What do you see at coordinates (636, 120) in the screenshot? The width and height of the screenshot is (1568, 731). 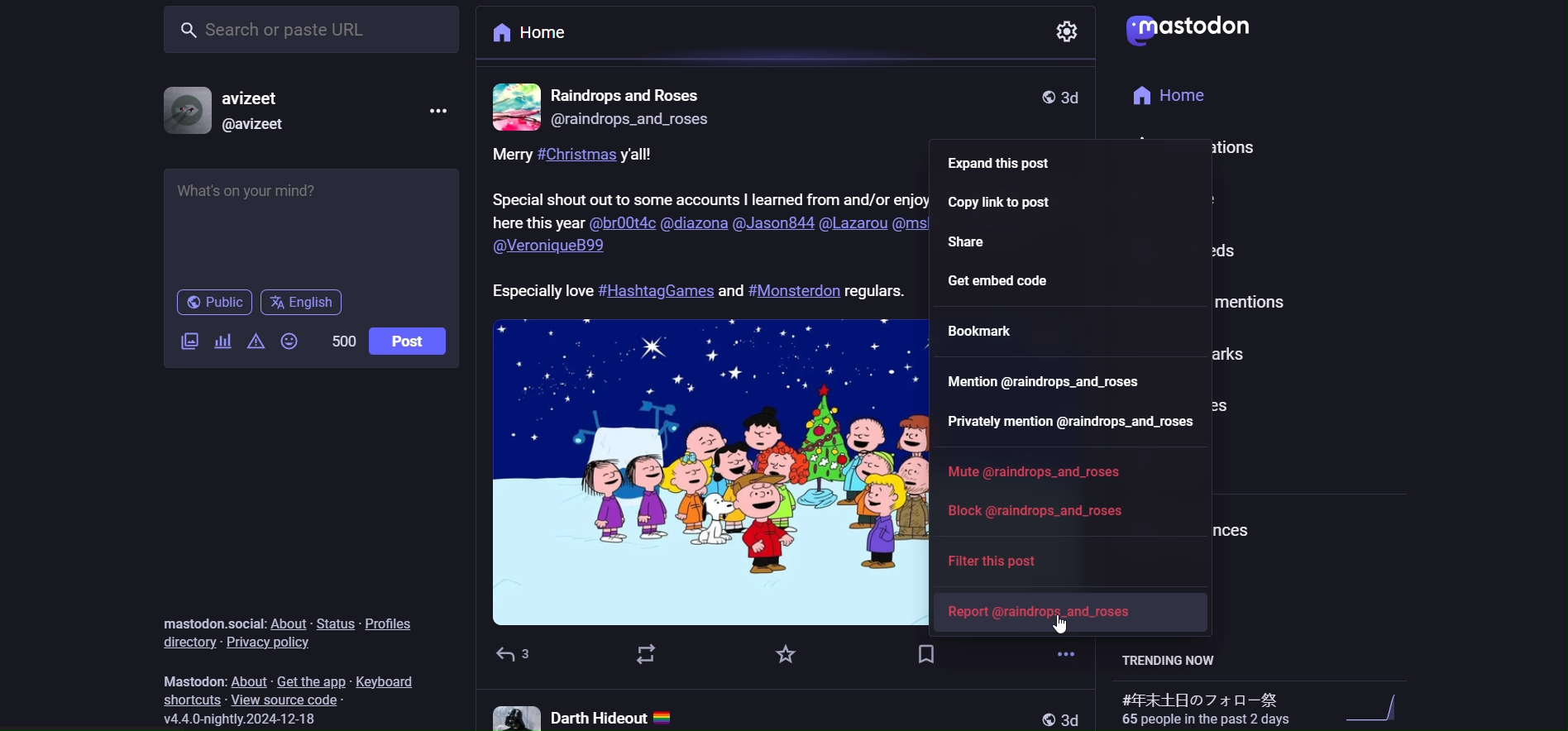 I see `id` at bounding box center [636, 120].